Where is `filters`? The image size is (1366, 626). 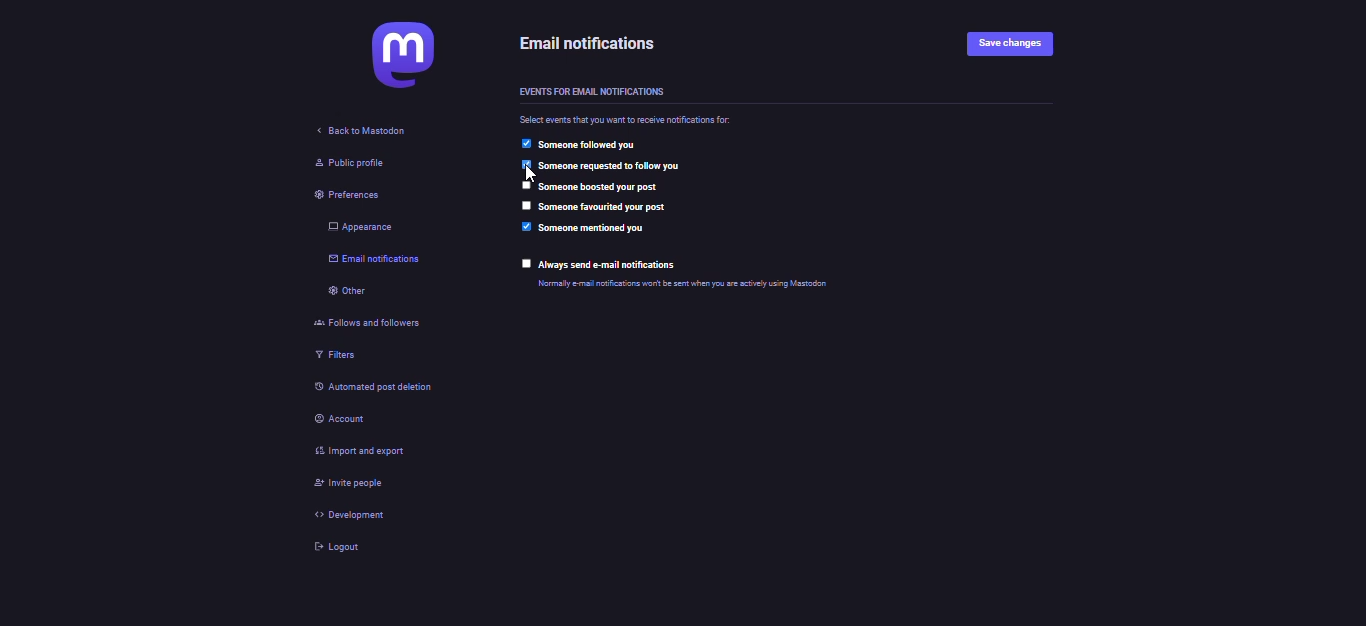 filters is located at coordinates (331, 358).